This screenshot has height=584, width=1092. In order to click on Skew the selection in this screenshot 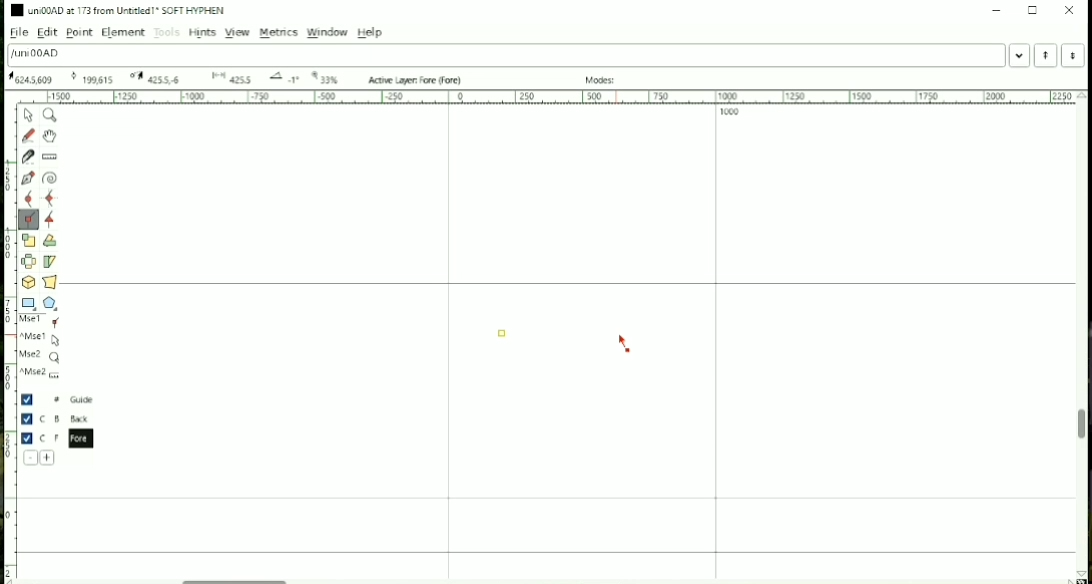, I will do `click(49, 262)`.